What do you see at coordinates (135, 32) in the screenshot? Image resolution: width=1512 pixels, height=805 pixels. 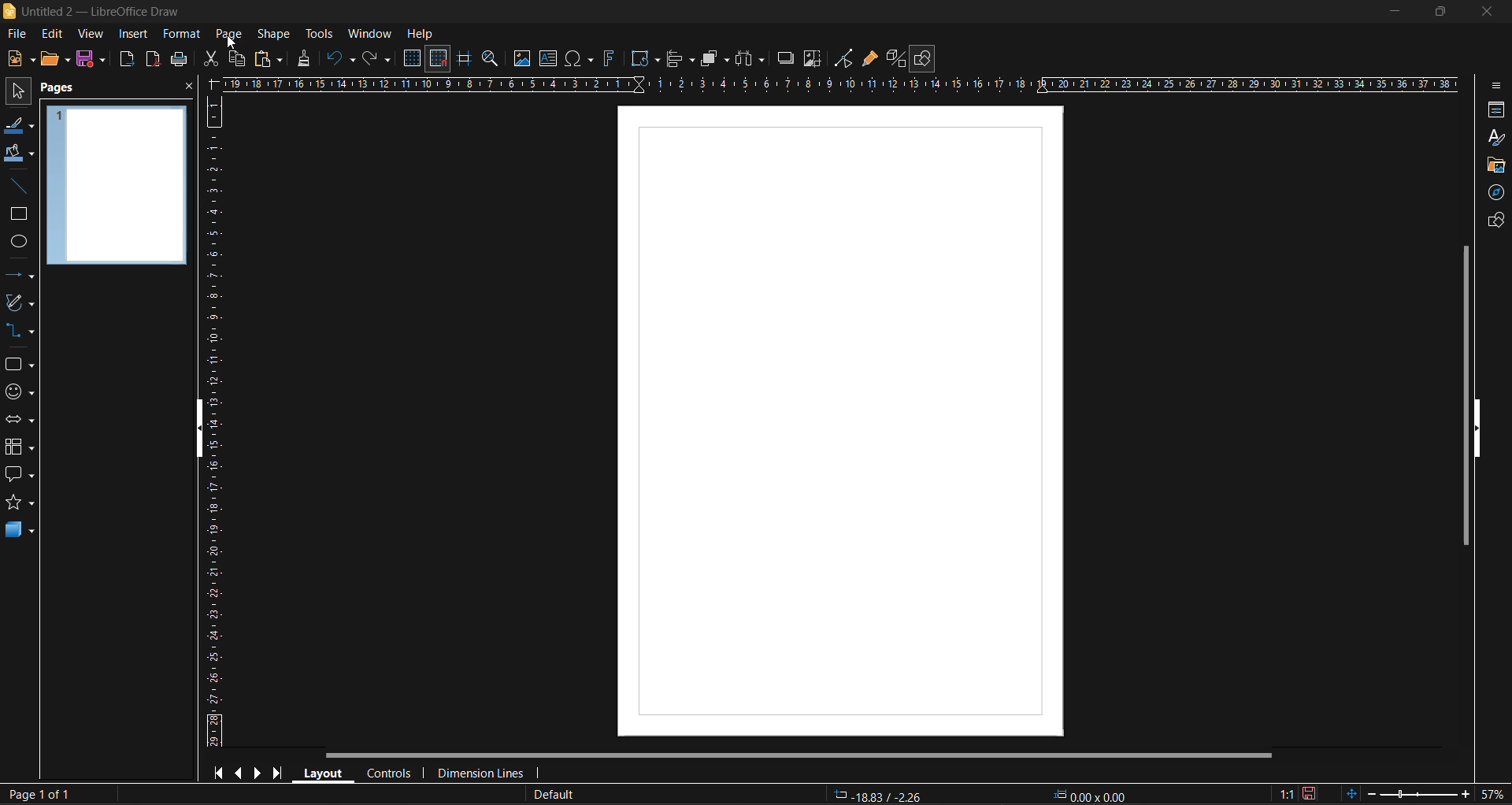 I see `insert` at bounding box center [135, 32].